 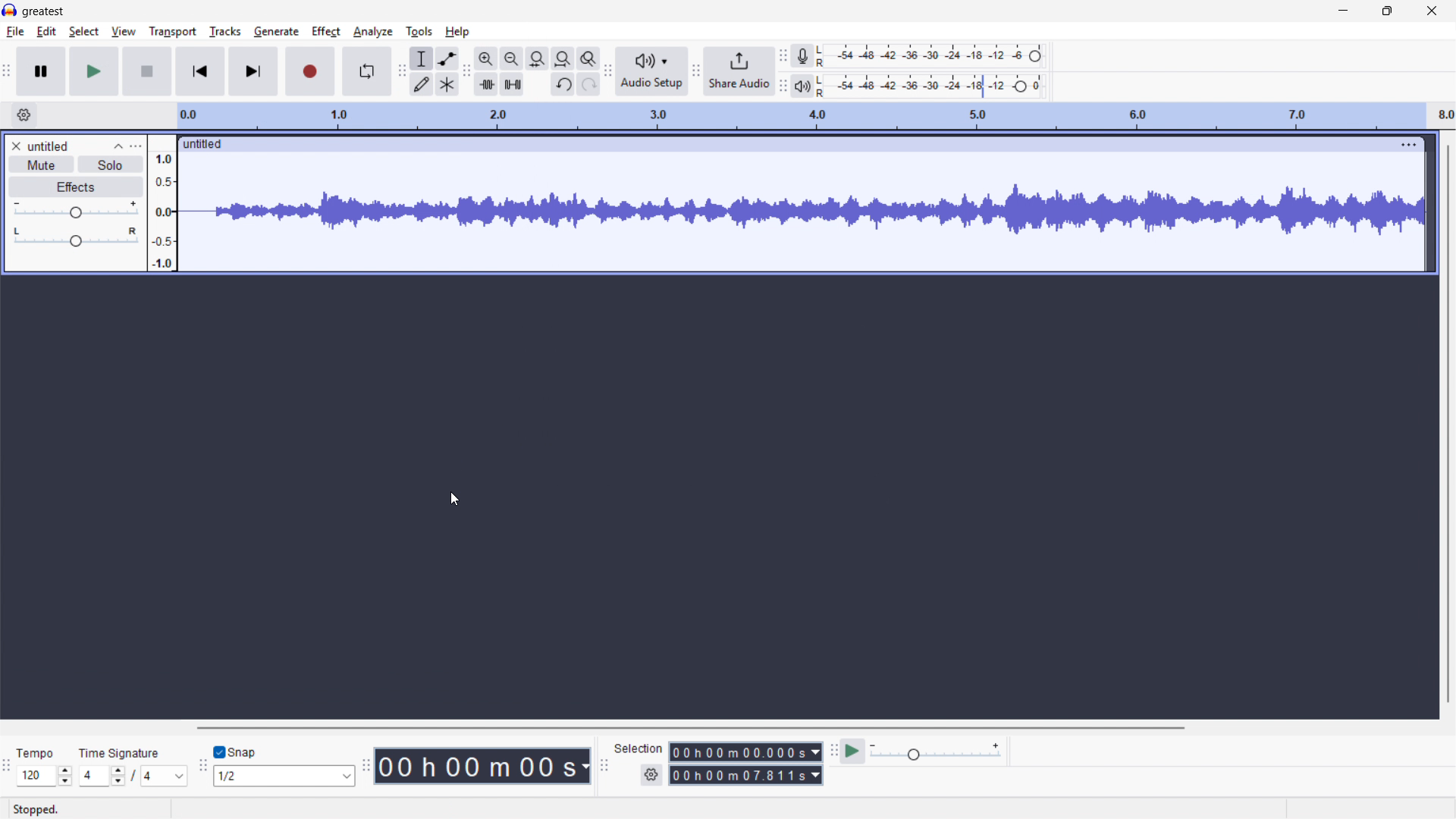 I want to click on pan: centre, so click(x=77, y=238).